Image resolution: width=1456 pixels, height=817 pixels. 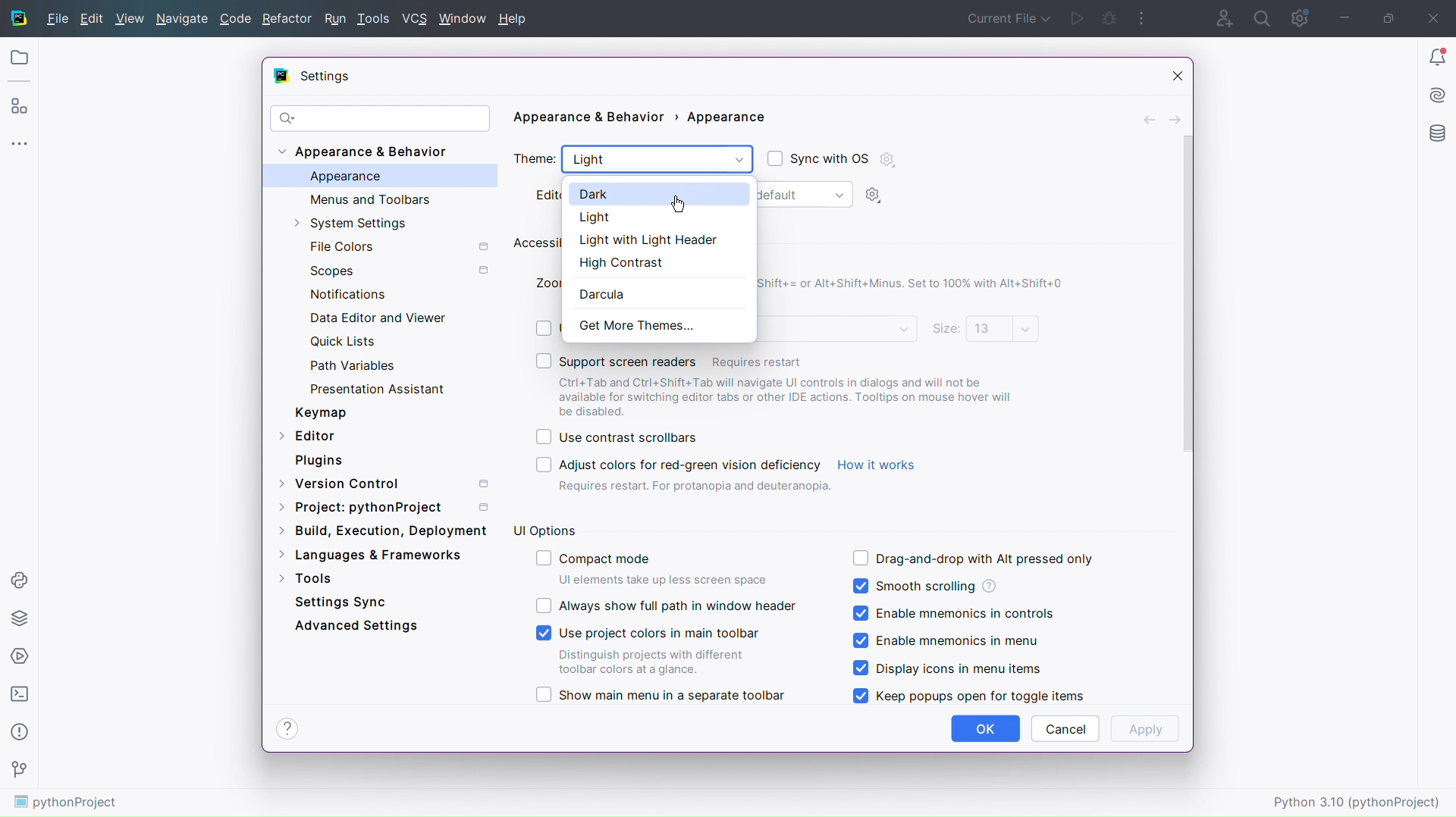 What do you see at coordinates (1437, 17) in the screenshot?
I see `Close` at bounding box center [1437, 17].